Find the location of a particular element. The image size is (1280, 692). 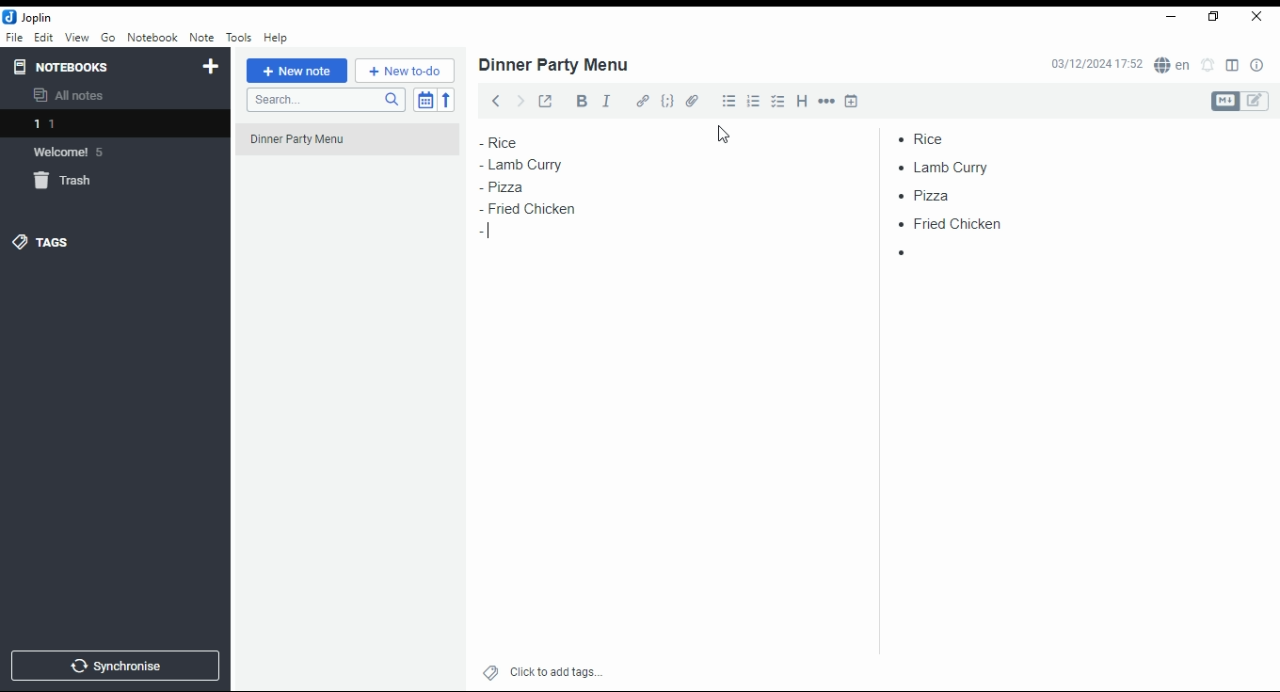

rice is located at coordinates (515, 142).